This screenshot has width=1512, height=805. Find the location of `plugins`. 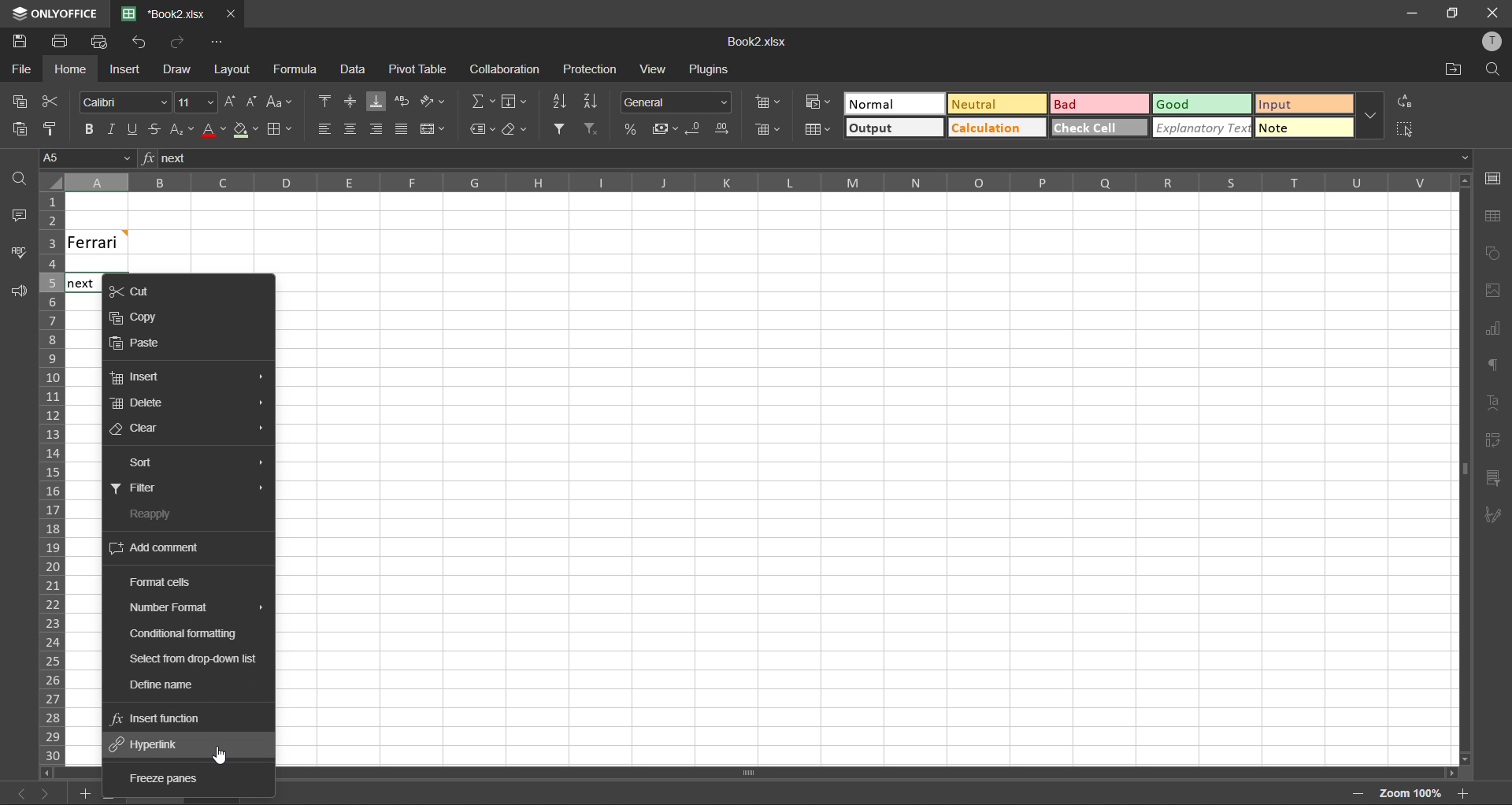

plugins is located at coordinates (710, 72).